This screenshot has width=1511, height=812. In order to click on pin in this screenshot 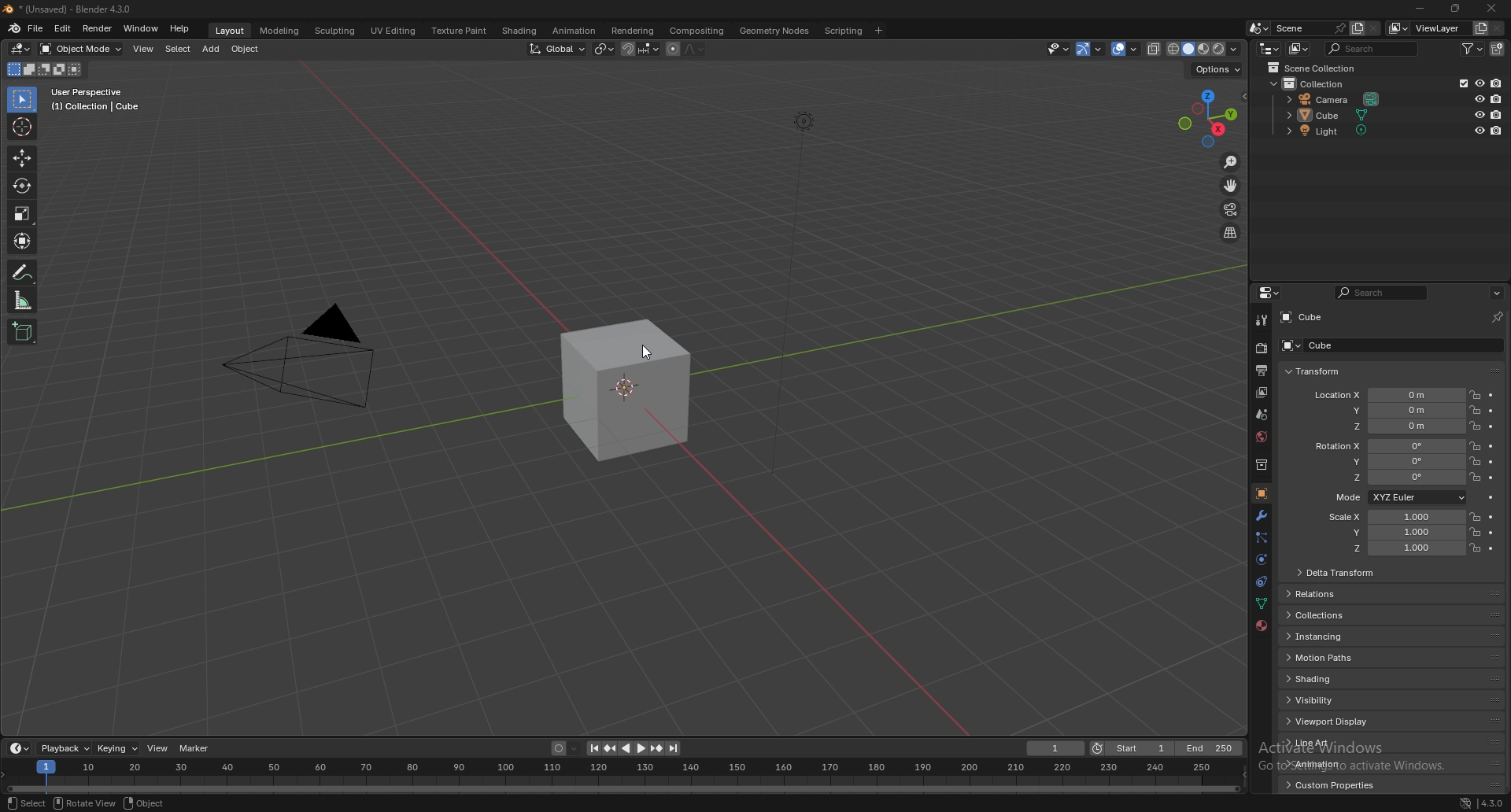, I will do `click(1498, 317)`.